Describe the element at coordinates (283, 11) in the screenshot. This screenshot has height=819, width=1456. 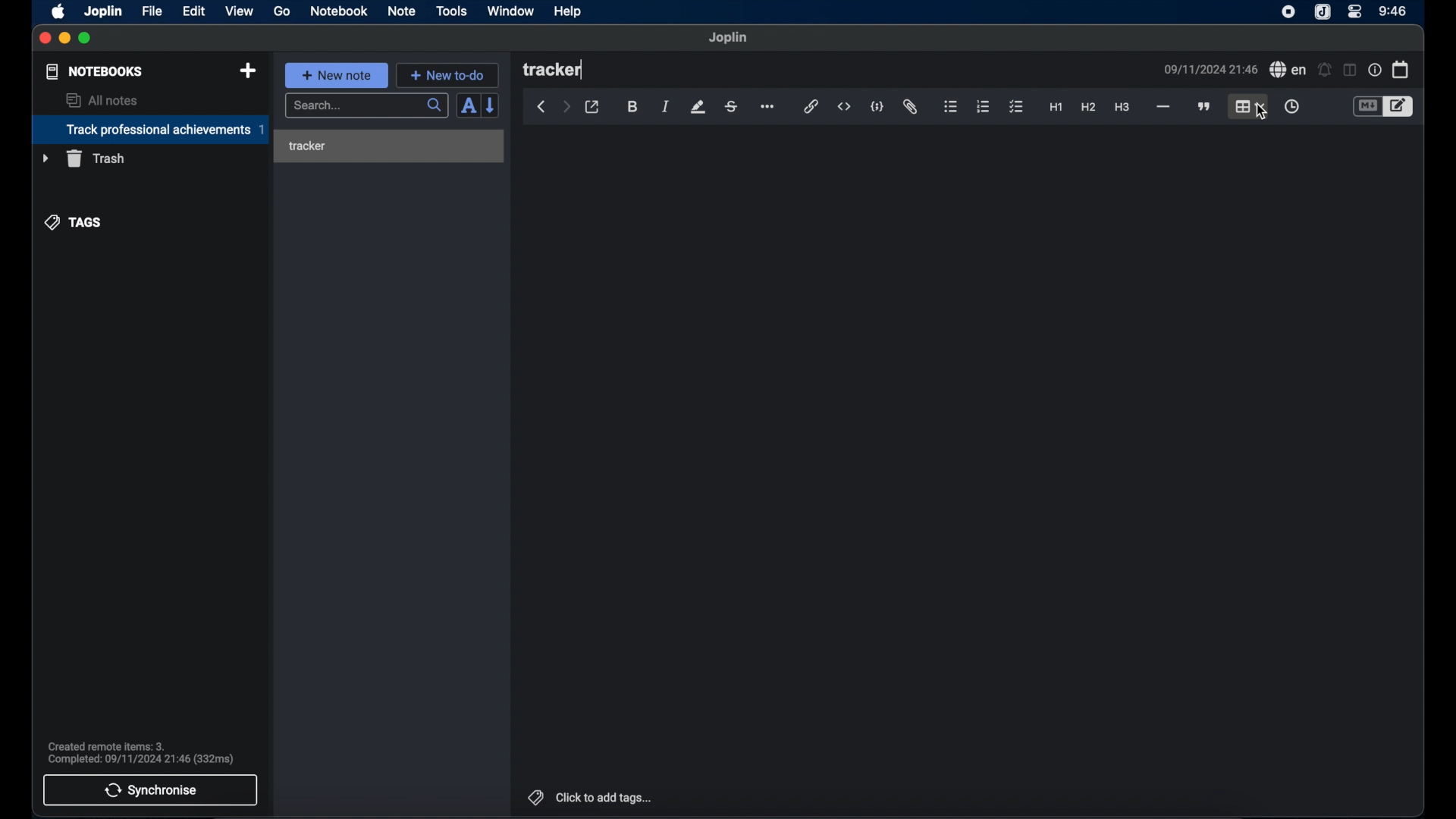
I see `go` at that location.